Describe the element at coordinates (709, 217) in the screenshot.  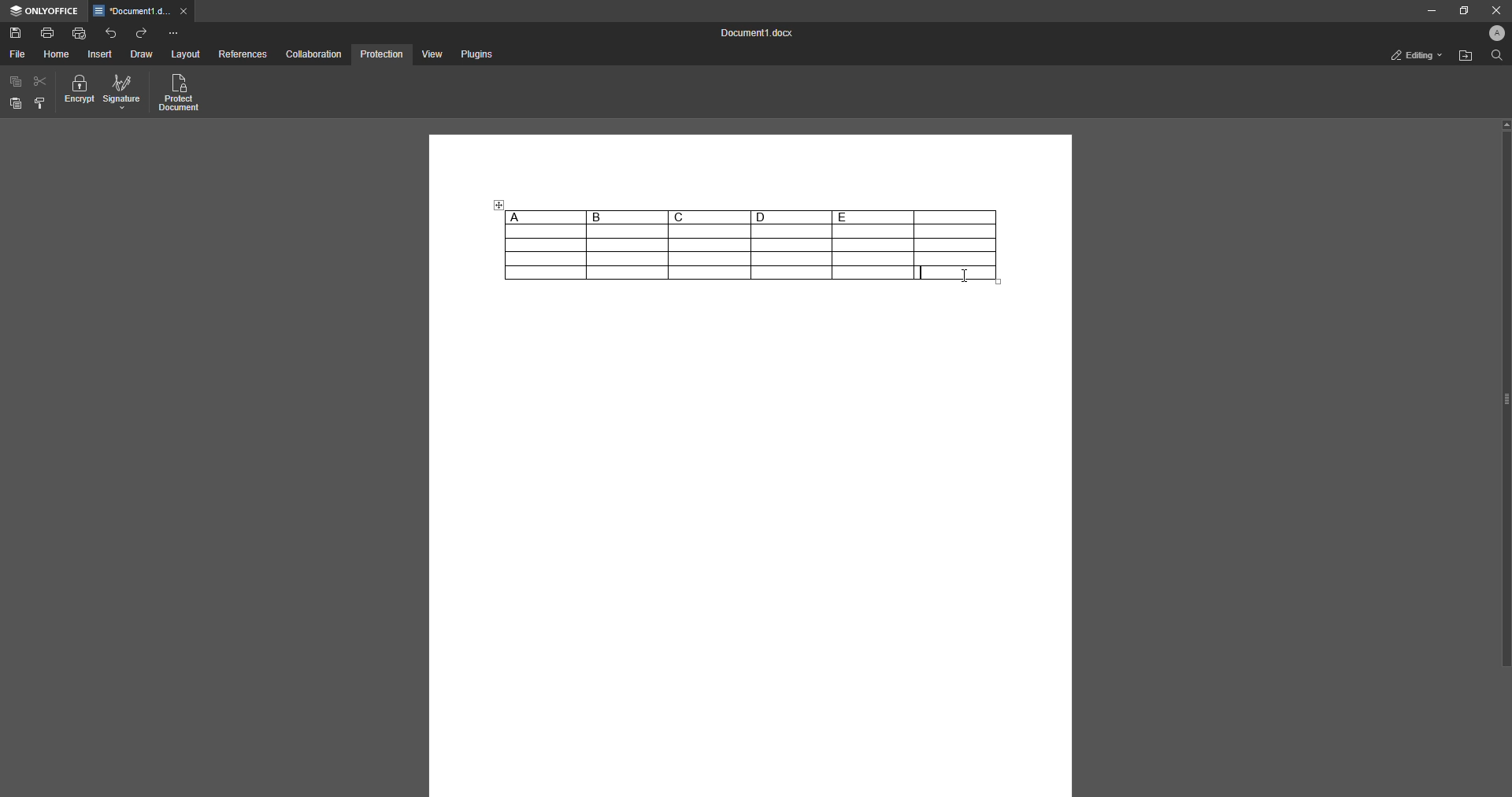
I see `C` at that location.